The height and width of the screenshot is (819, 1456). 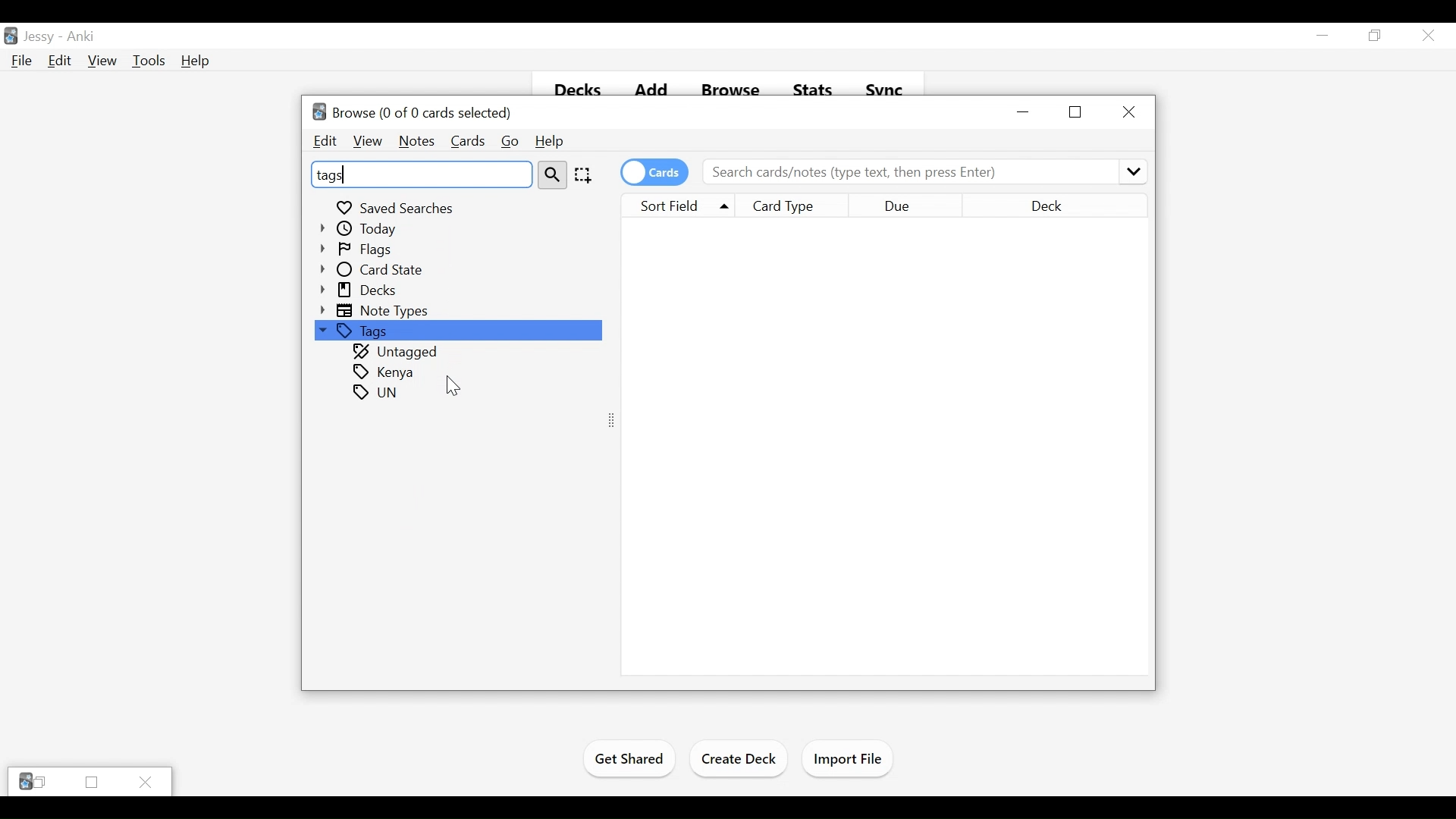 What do you see at coordinates (58, 61) in the screenshot?
I see `Edit` at bounding box center [58, 61].